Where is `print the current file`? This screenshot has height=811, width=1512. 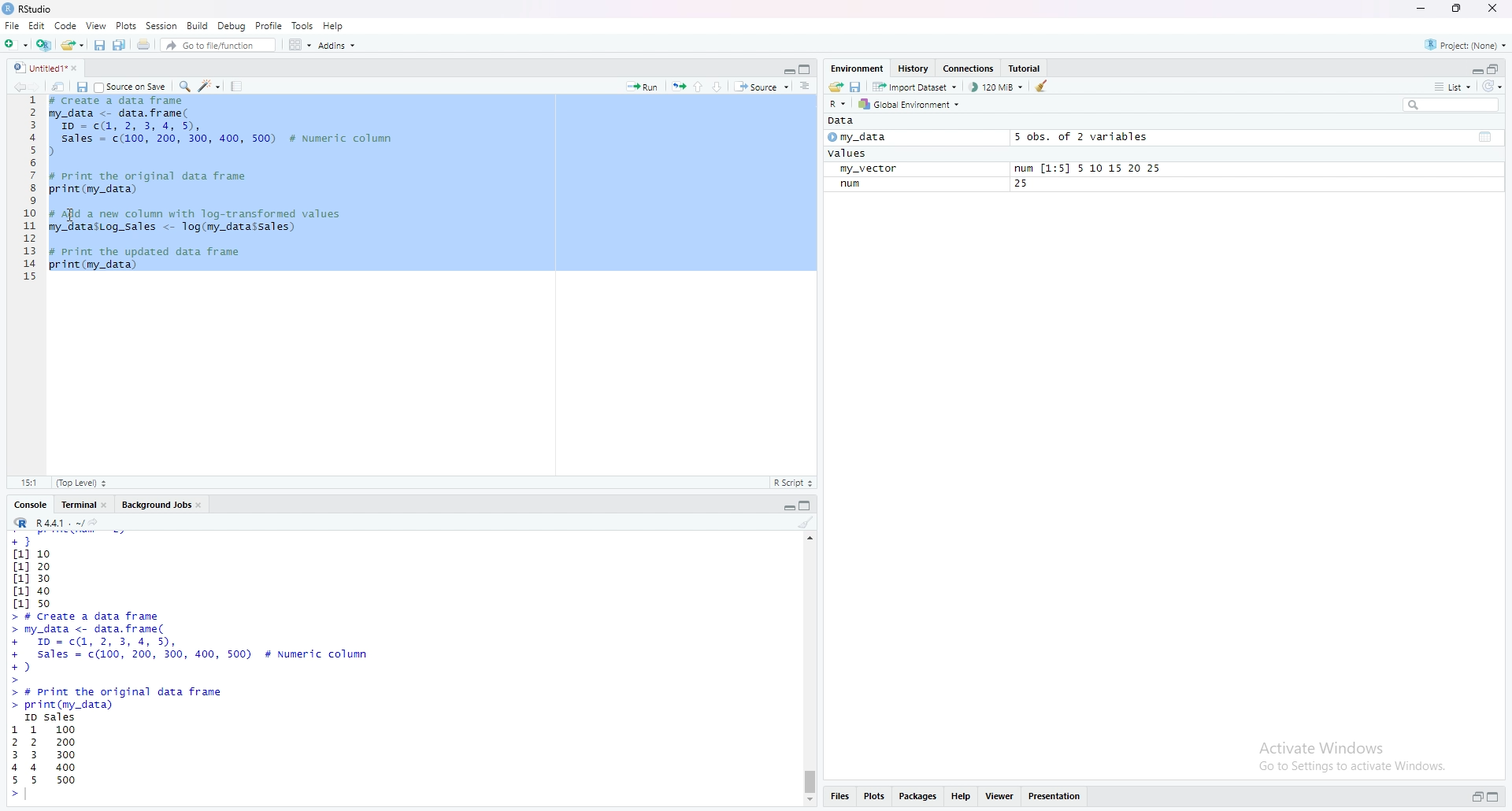 print the current file is located at coordinates (145, 46).